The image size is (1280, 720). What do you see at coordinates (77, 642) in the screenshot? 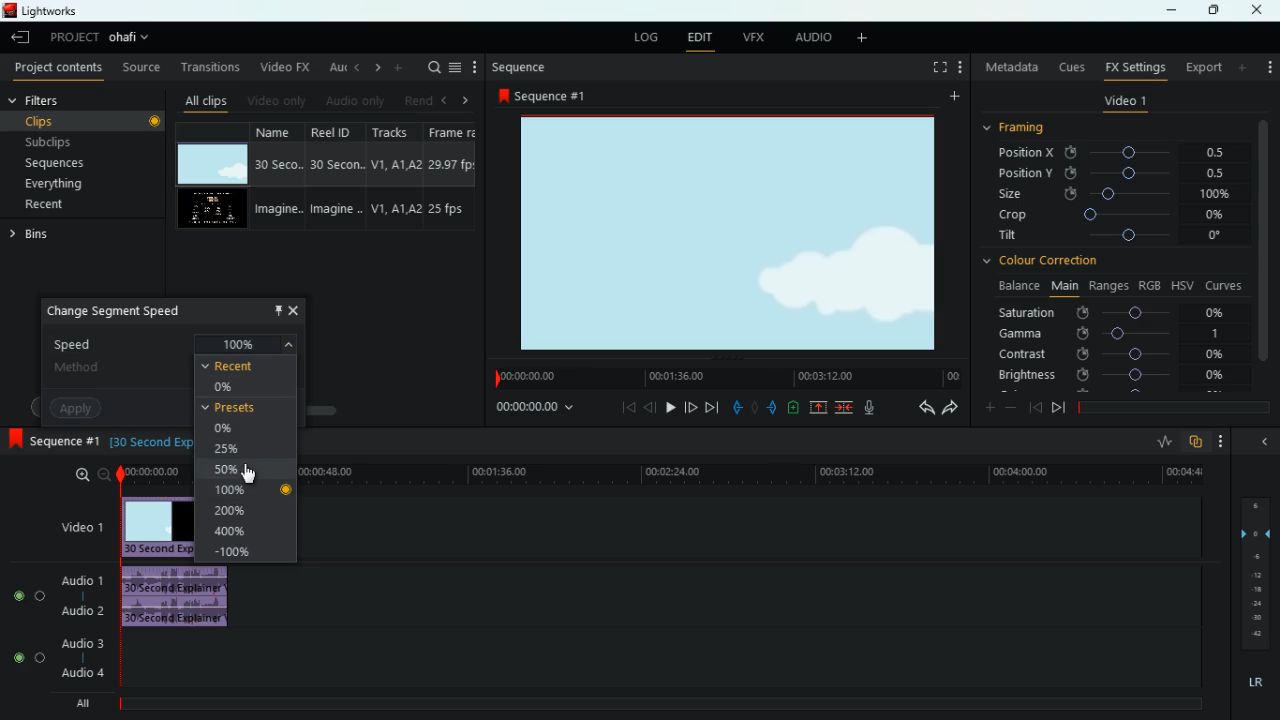
I see `audio 3` at bounding box center [77, 642].